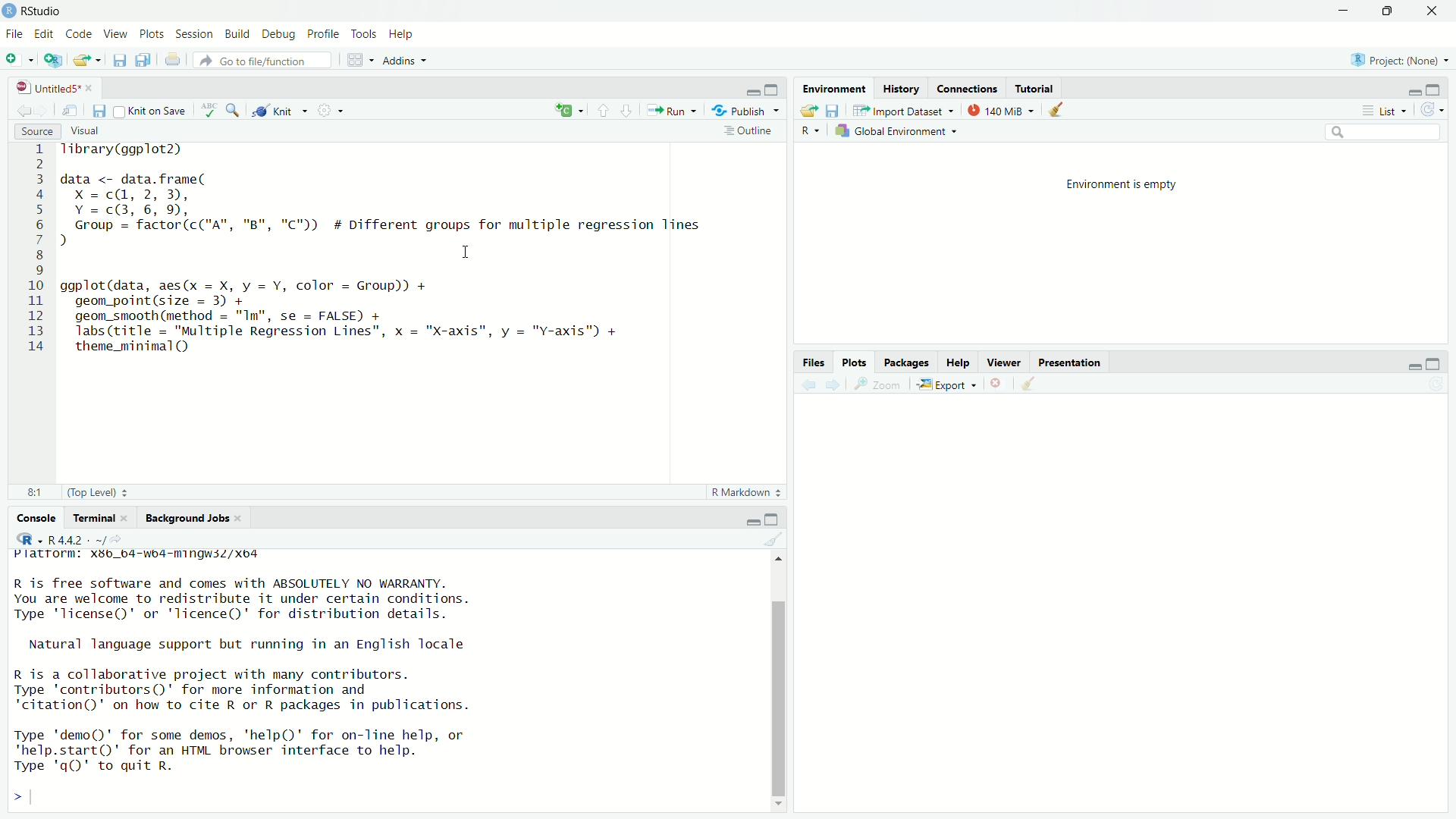  What do you see at coordinates (837, 111) in the screenshot?
I see `files` at bounding box center [837, 111].